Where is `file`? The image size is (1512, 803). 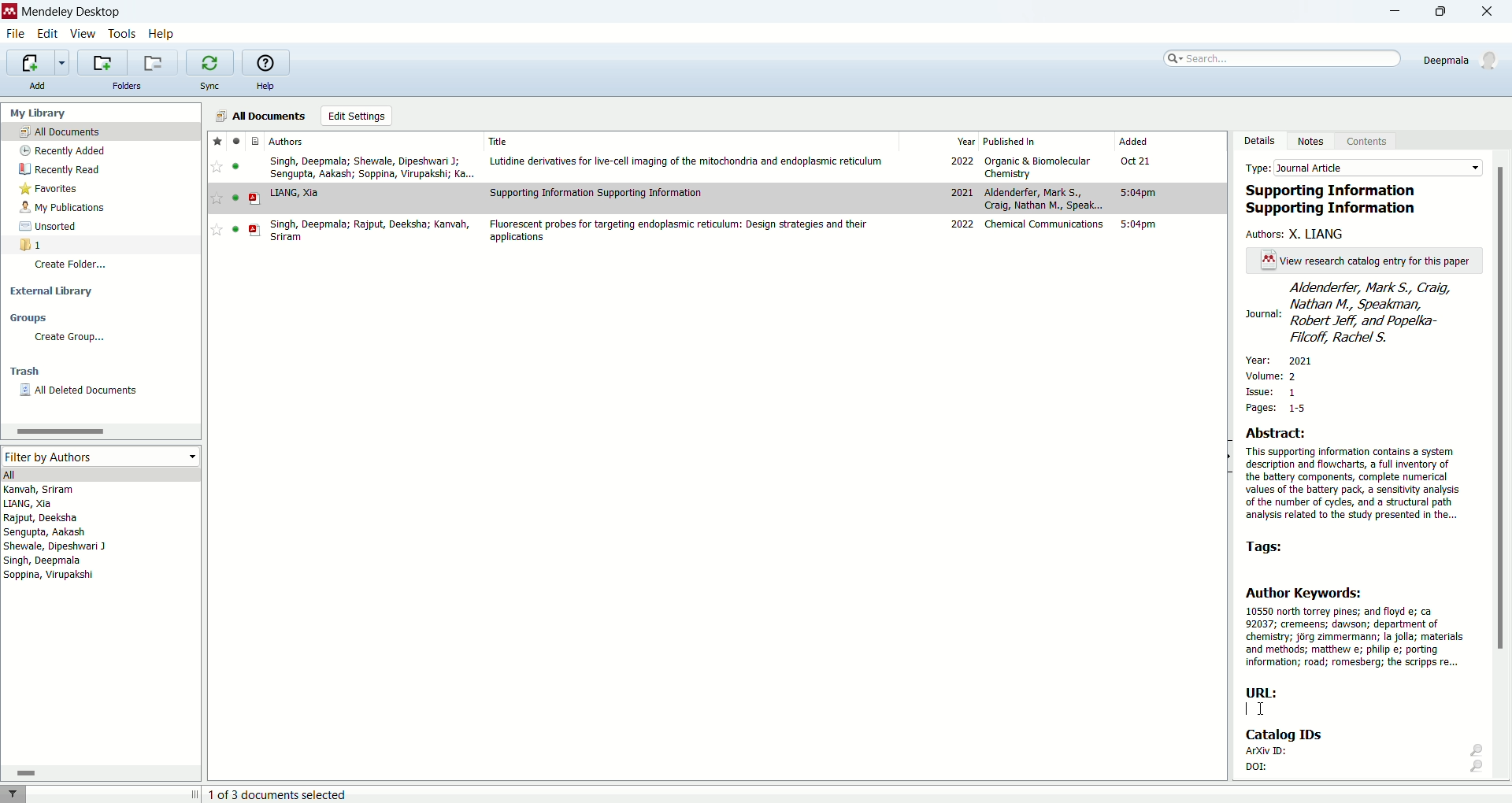
file is located at coordinates (19, 35).